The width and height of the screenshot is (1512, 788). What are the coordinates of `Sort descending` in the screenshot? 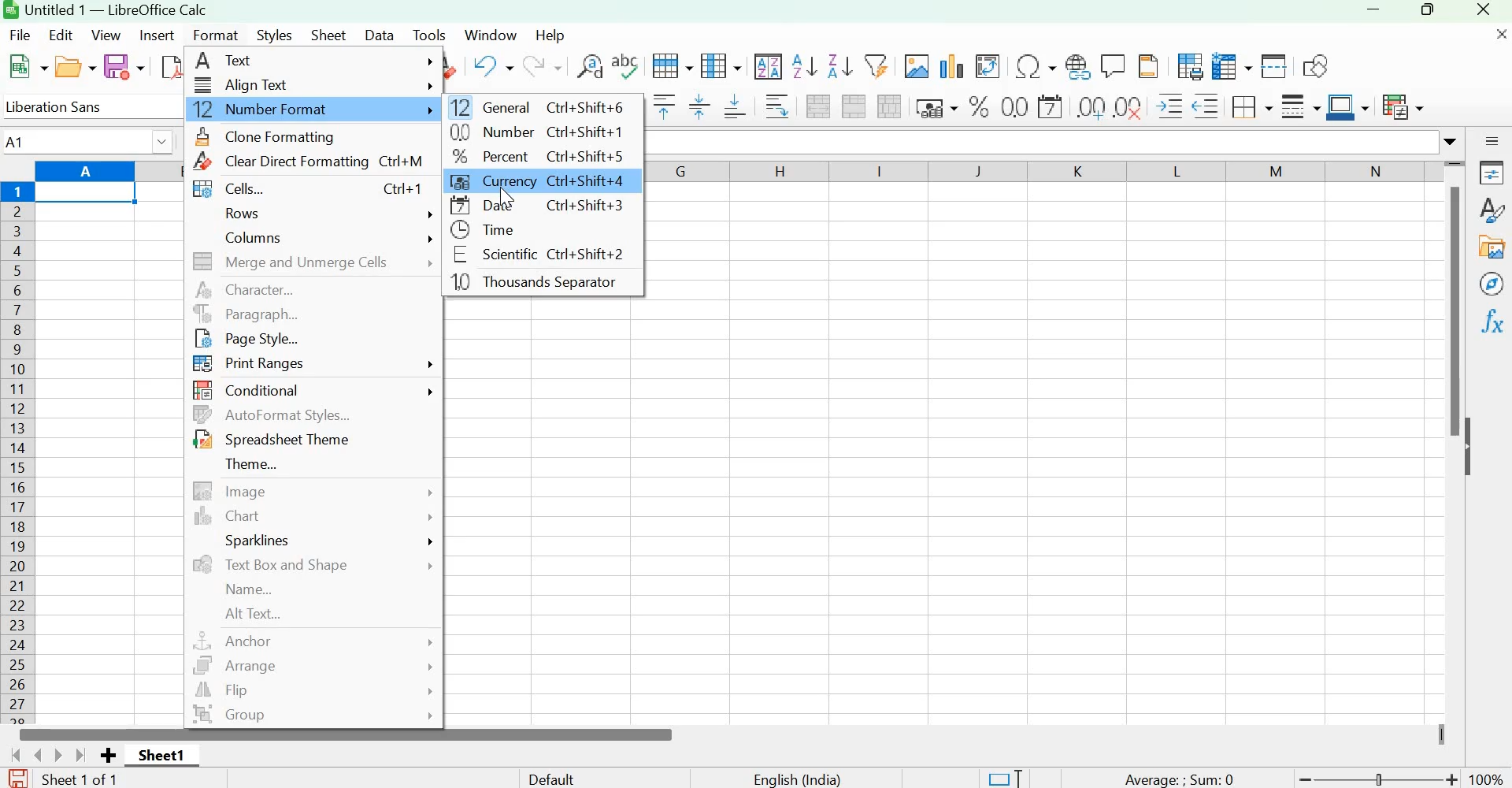 It's located at (839, 66).